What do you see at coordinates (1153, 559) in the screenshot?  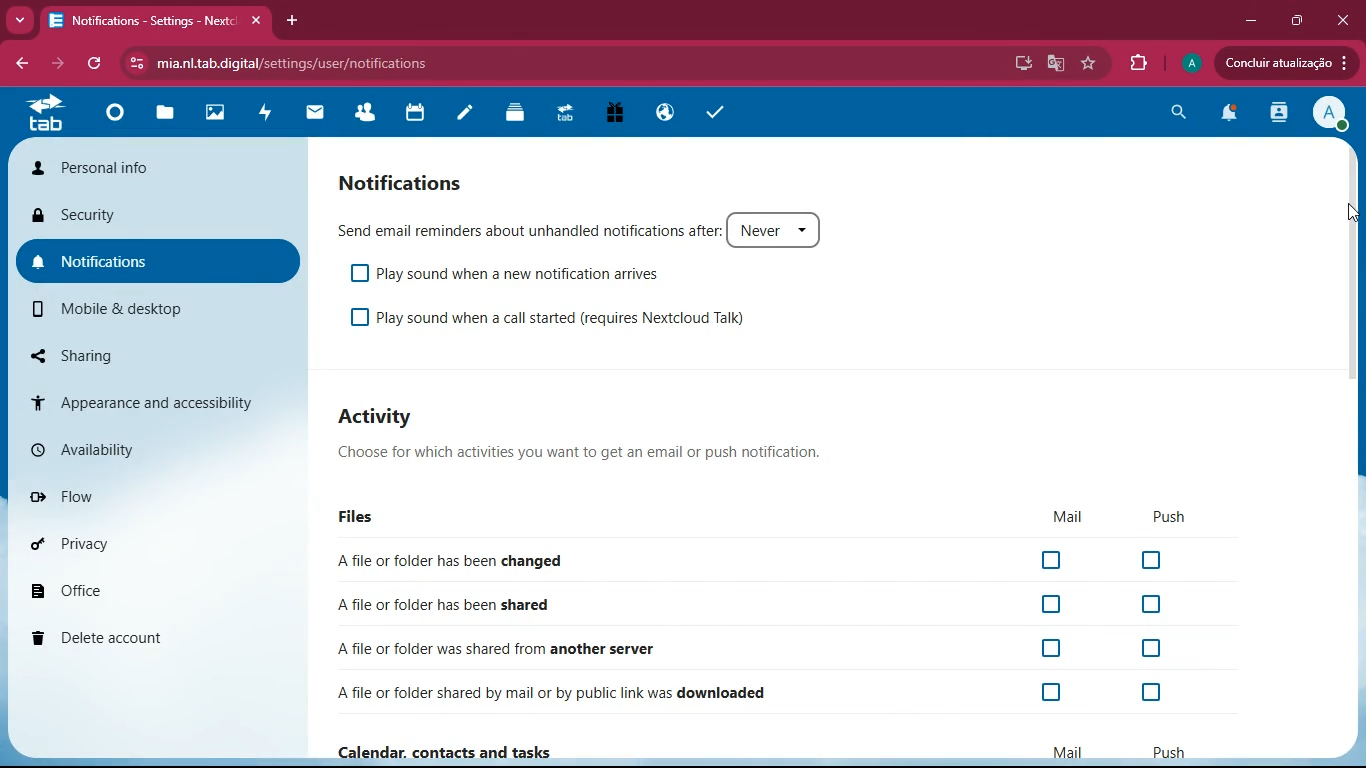 I see `off` at bounding box center [1153, 559].